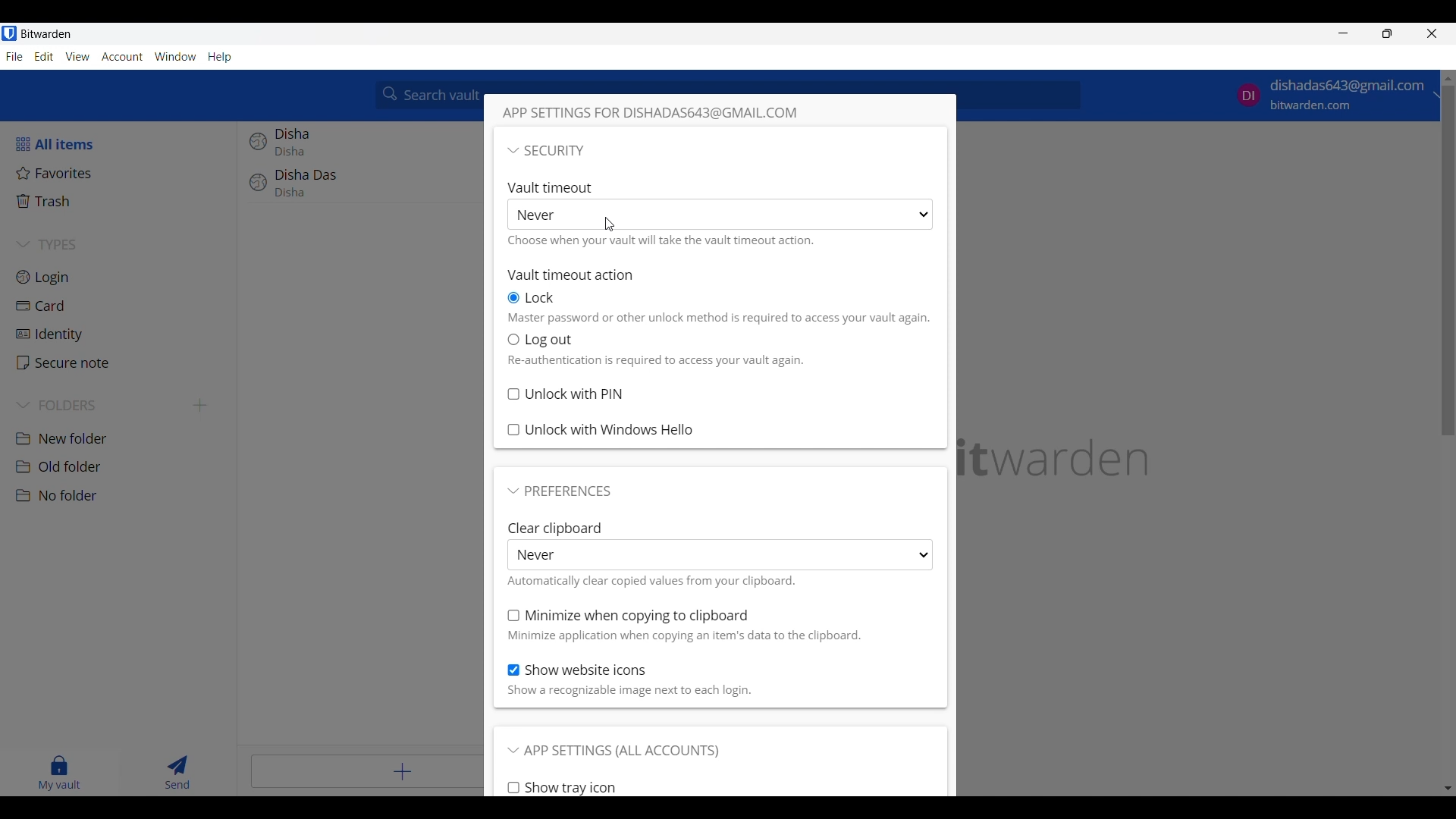 The image size is (1456, 819). I want to click on New folder, so click(121, 439).